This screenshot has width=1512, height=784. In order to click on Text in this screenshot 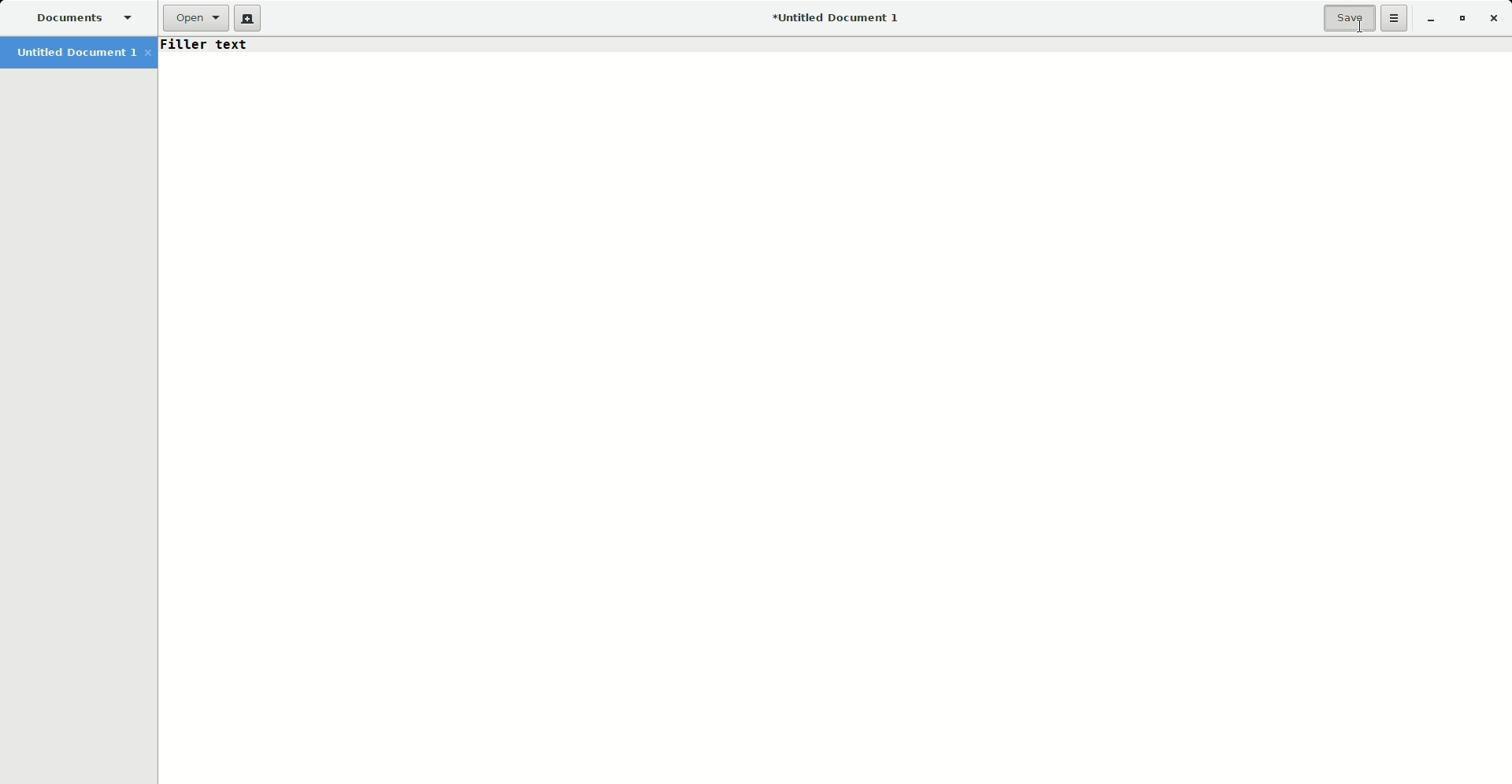, I will do `click(204, 45)`.